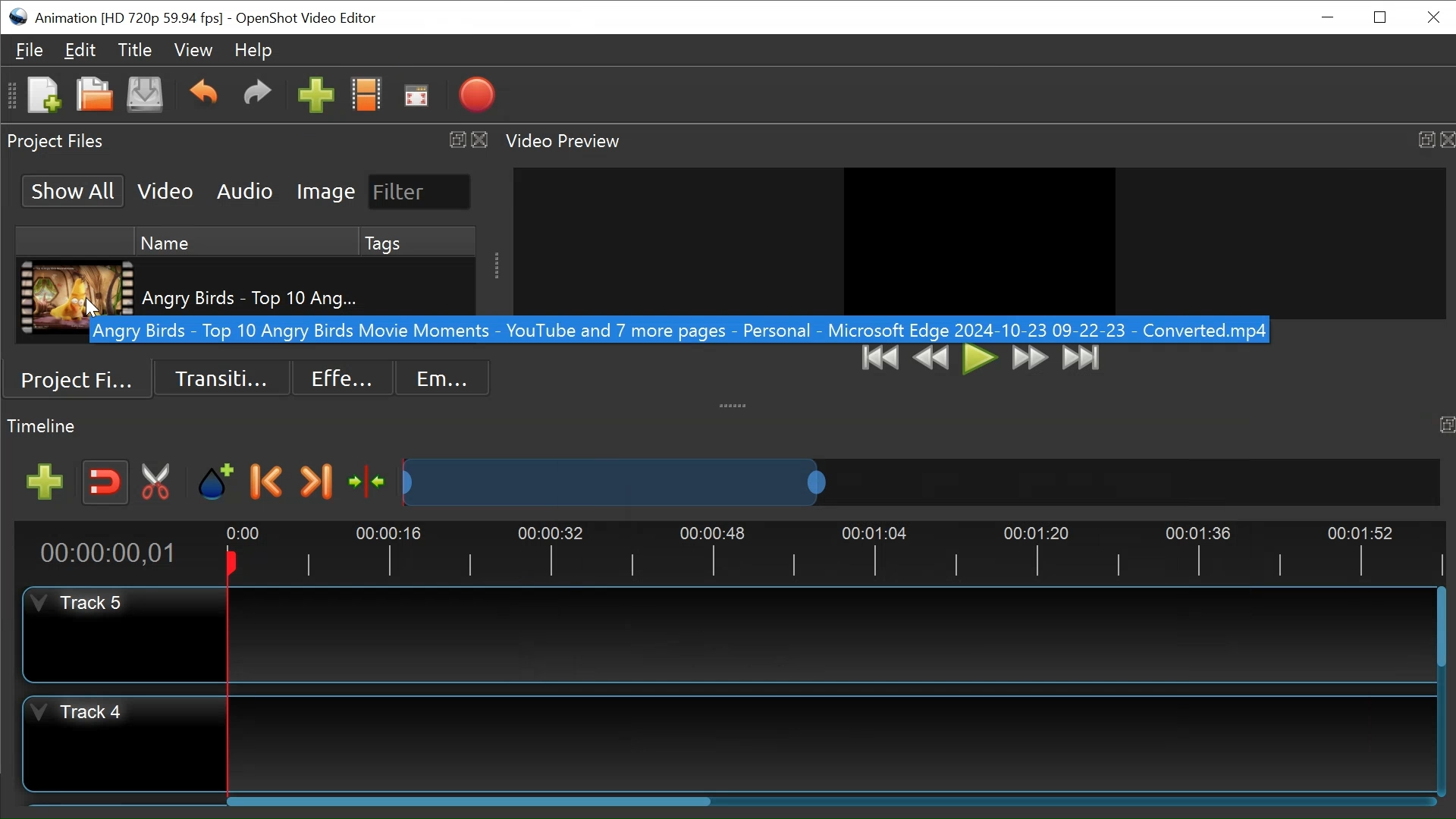  Describe the element at coordinates (165, 190) in the screenshot. I see `Video` at that location.